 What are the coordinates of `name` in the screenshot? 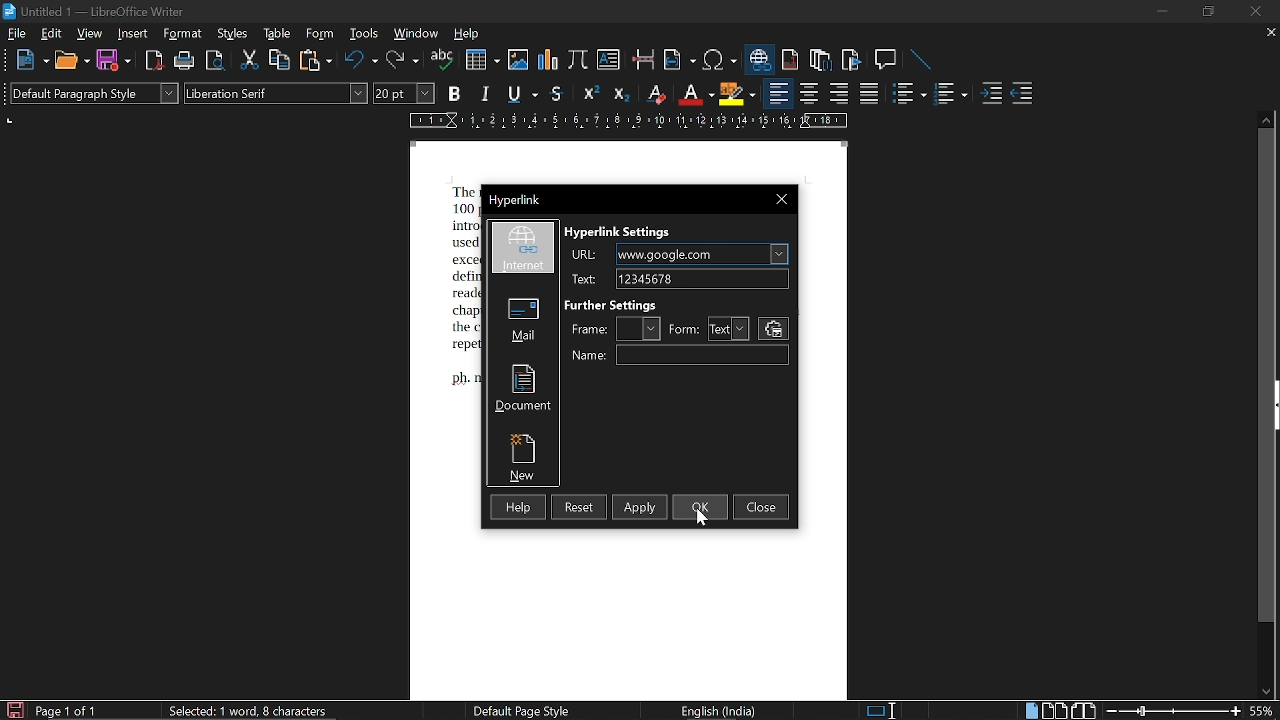 It's located at (587, 354).